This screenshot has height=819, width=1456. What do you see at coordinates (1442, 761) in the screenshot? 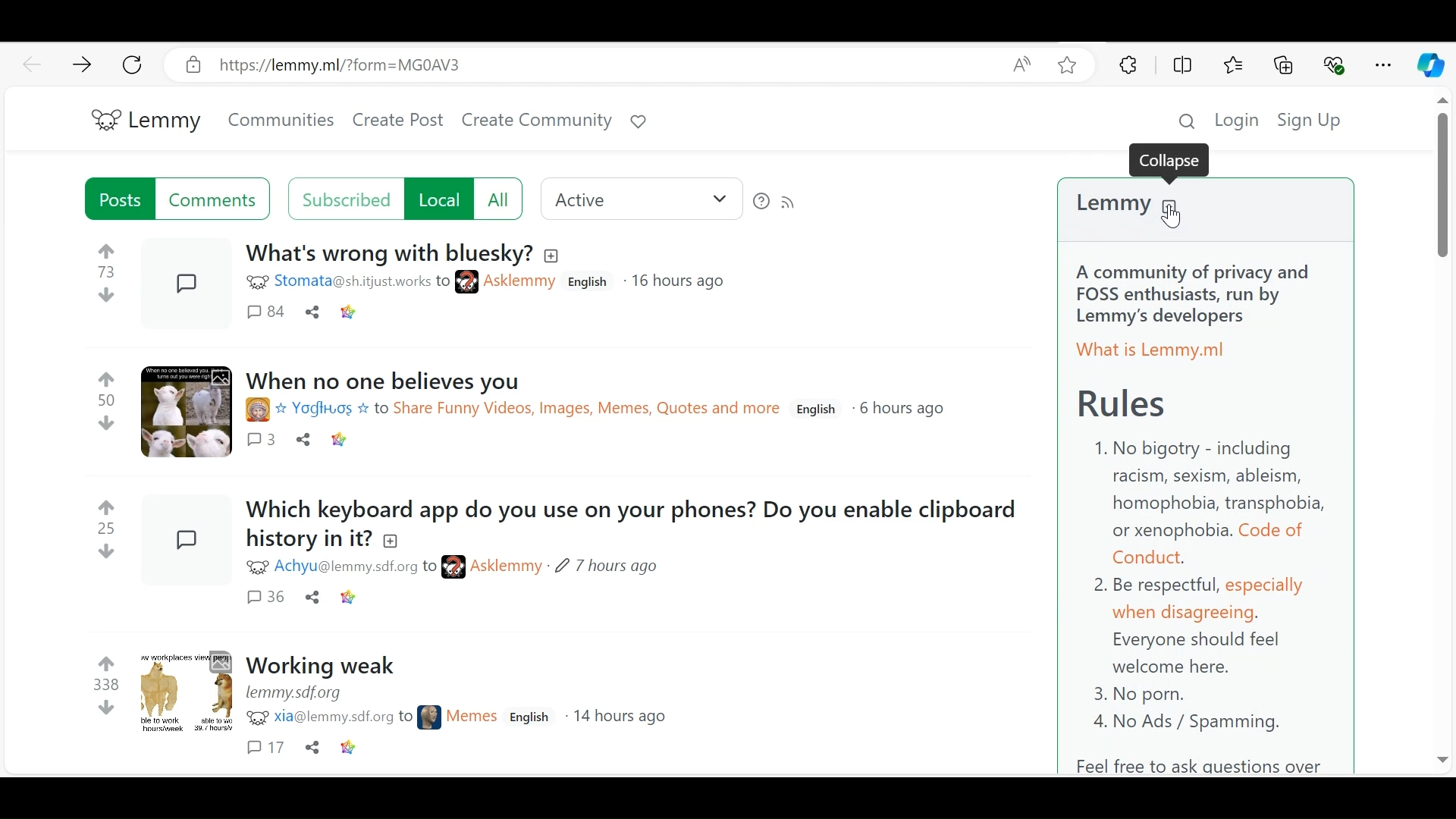
I see `` at bounding box center [1442, 761].